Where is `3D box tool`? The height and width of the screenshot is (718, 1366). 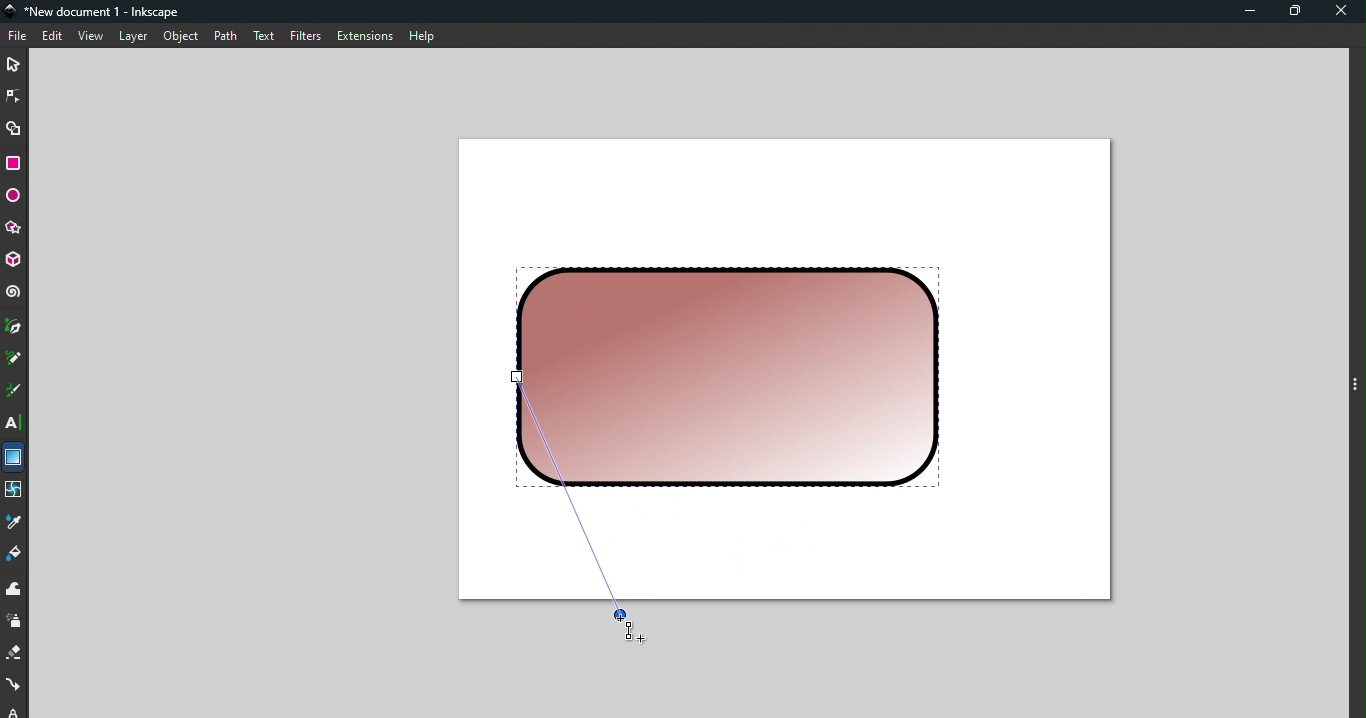
3D box tool is located at coordinates (15, 260).